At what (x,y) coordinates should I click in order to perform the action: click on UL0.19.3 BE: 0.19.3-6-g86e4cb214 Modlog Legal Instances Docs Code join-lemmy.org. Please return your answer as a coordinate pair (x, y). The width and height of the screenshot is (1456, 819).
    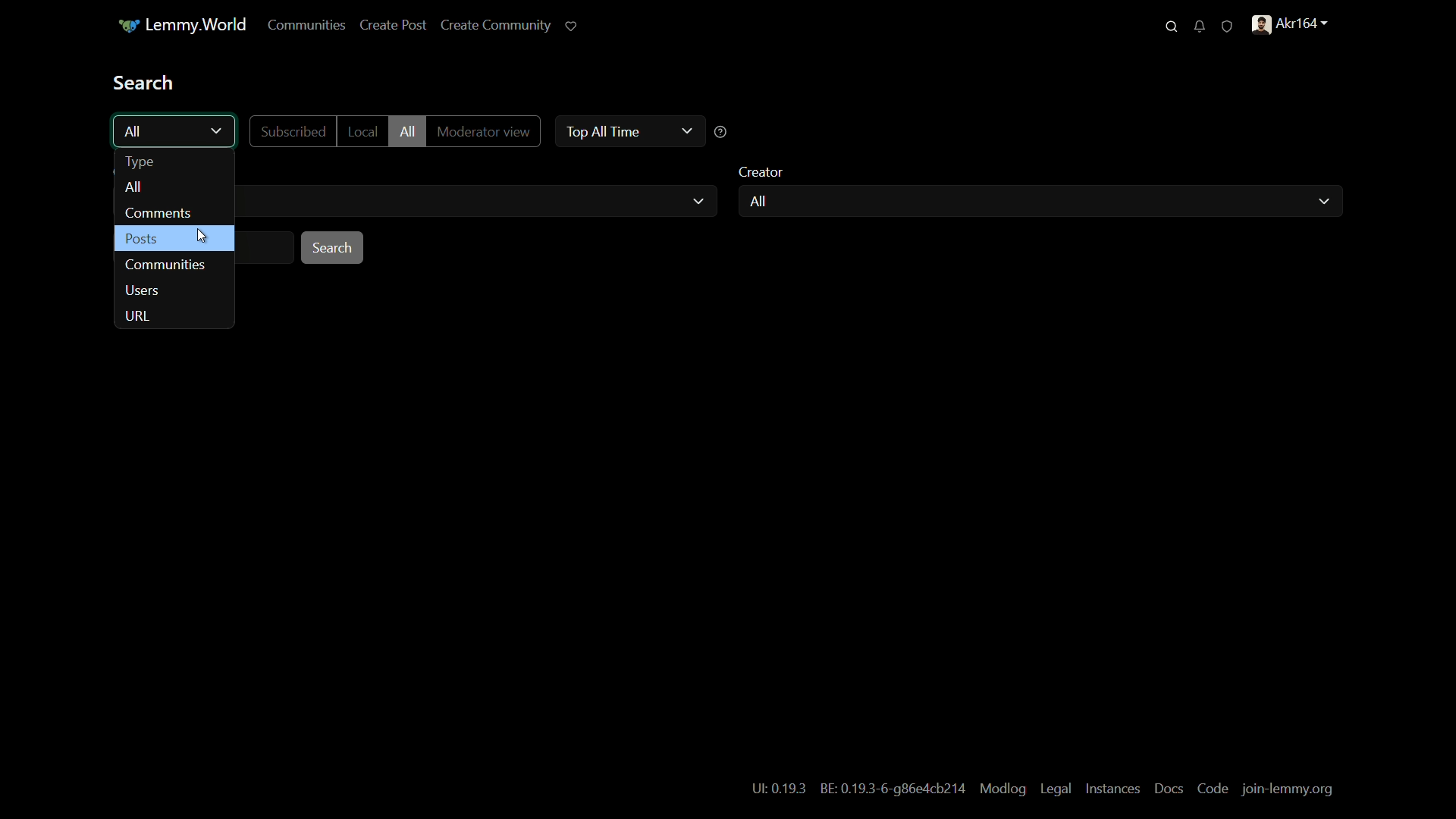
    Looking at the image, I should click on (1043, 788).